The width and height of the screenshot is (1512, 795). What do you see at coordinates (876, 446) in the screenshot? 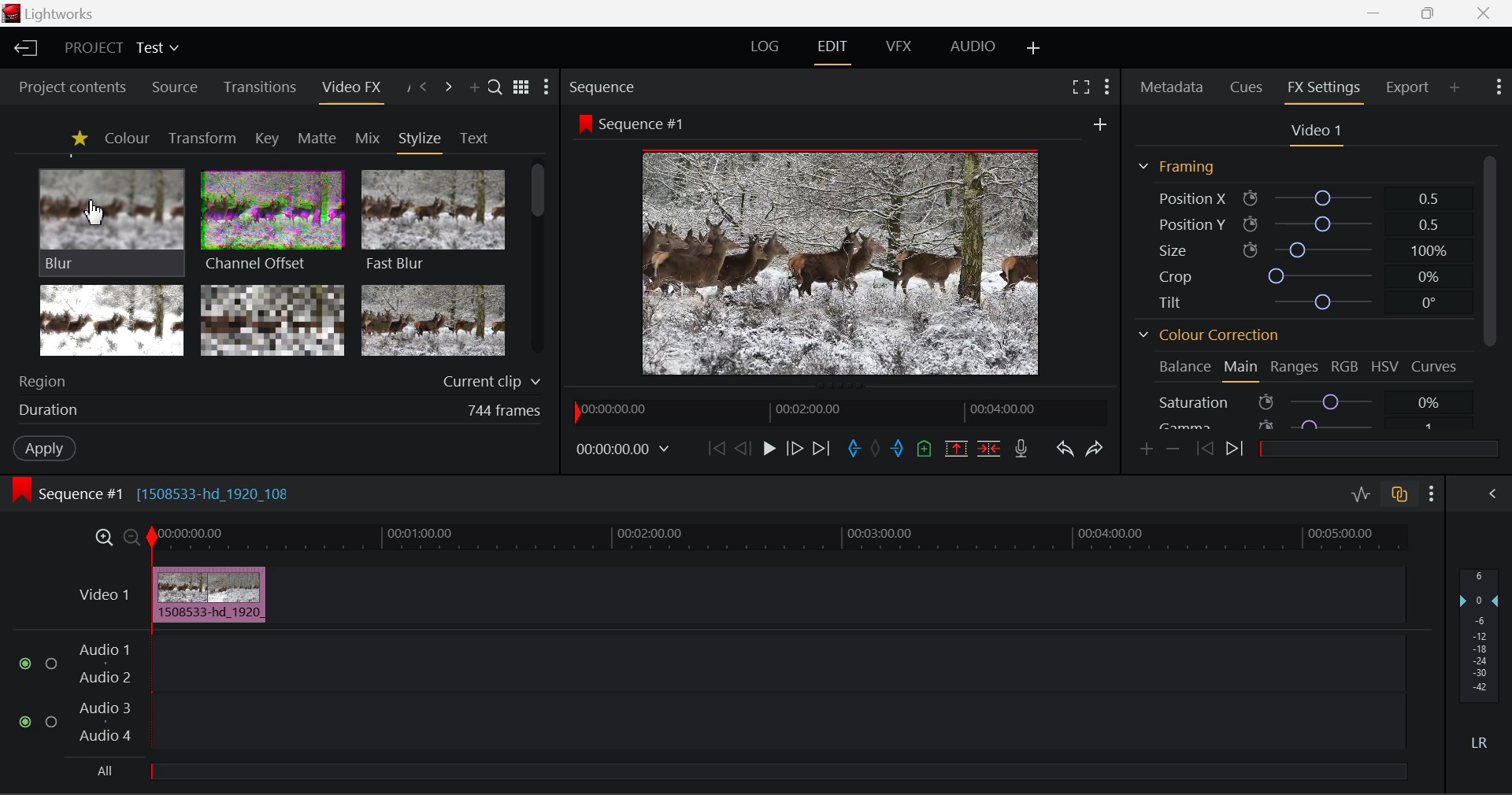
I see `Remove all marks` at bounding box center [876, 446].